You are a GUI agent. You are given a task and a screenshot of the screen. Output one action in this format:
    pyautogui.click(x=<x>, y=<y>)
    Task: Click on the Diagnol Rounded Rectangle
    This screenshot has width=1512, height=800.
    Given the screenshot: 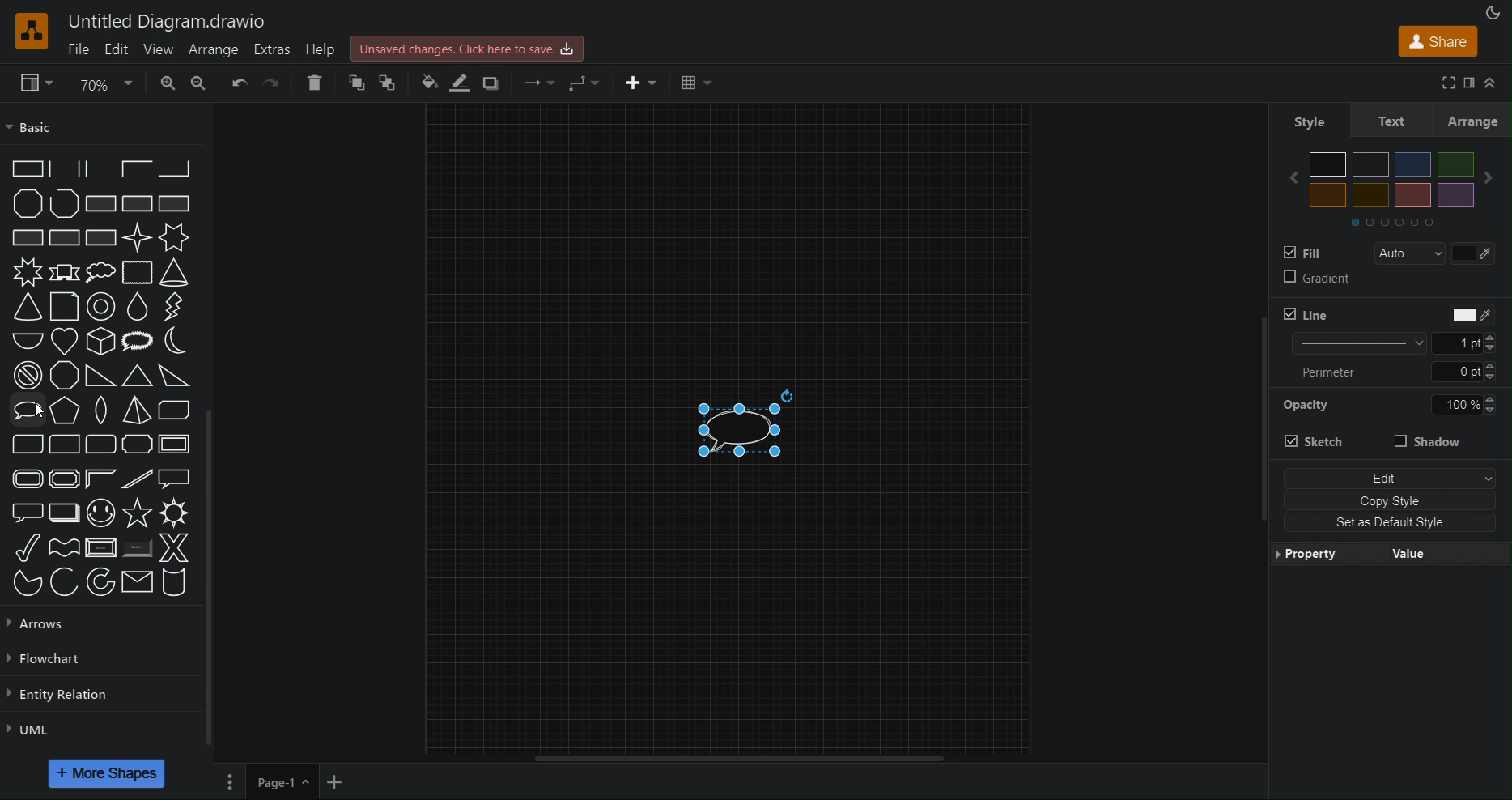 What is the action you would take?
    pyautogui.click(x=28, y=445)
    